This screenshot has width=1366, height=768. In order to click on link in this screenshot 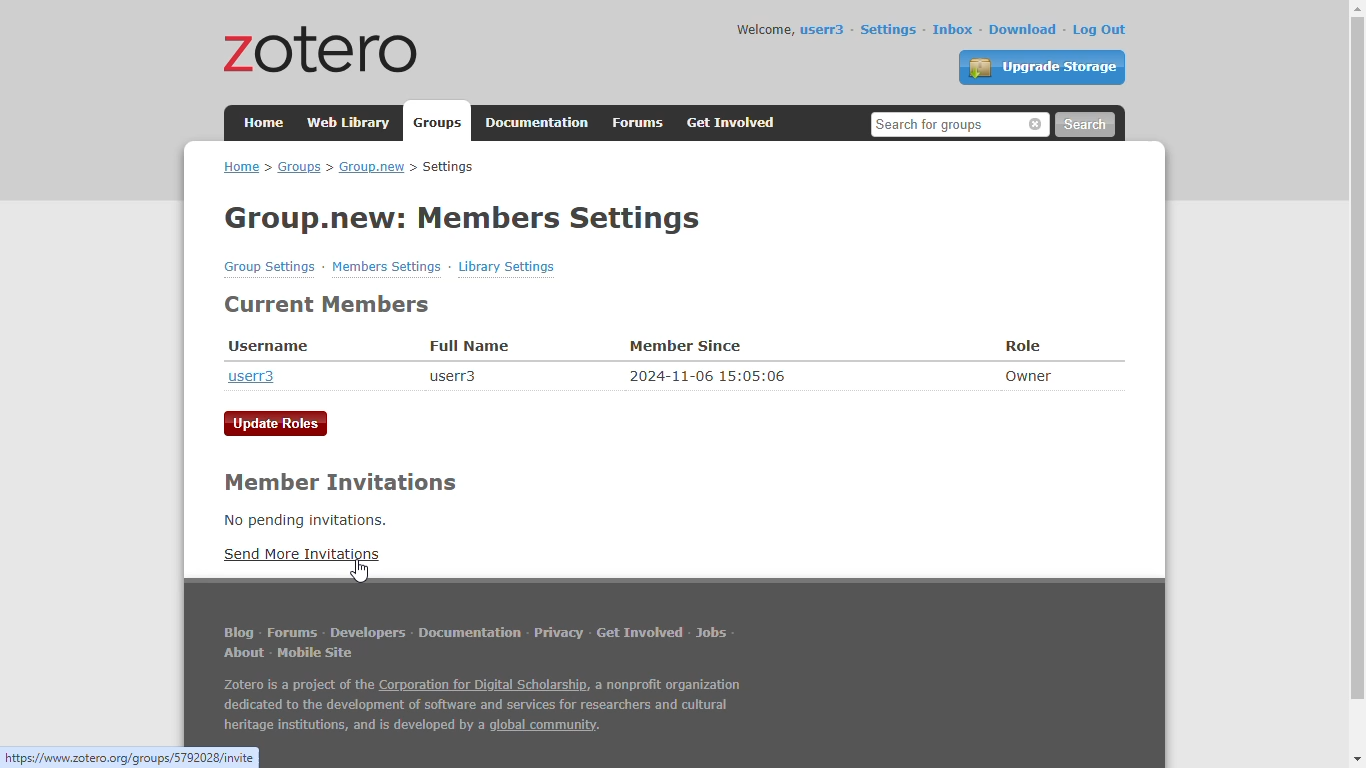, I will do `click(130, 758)`.